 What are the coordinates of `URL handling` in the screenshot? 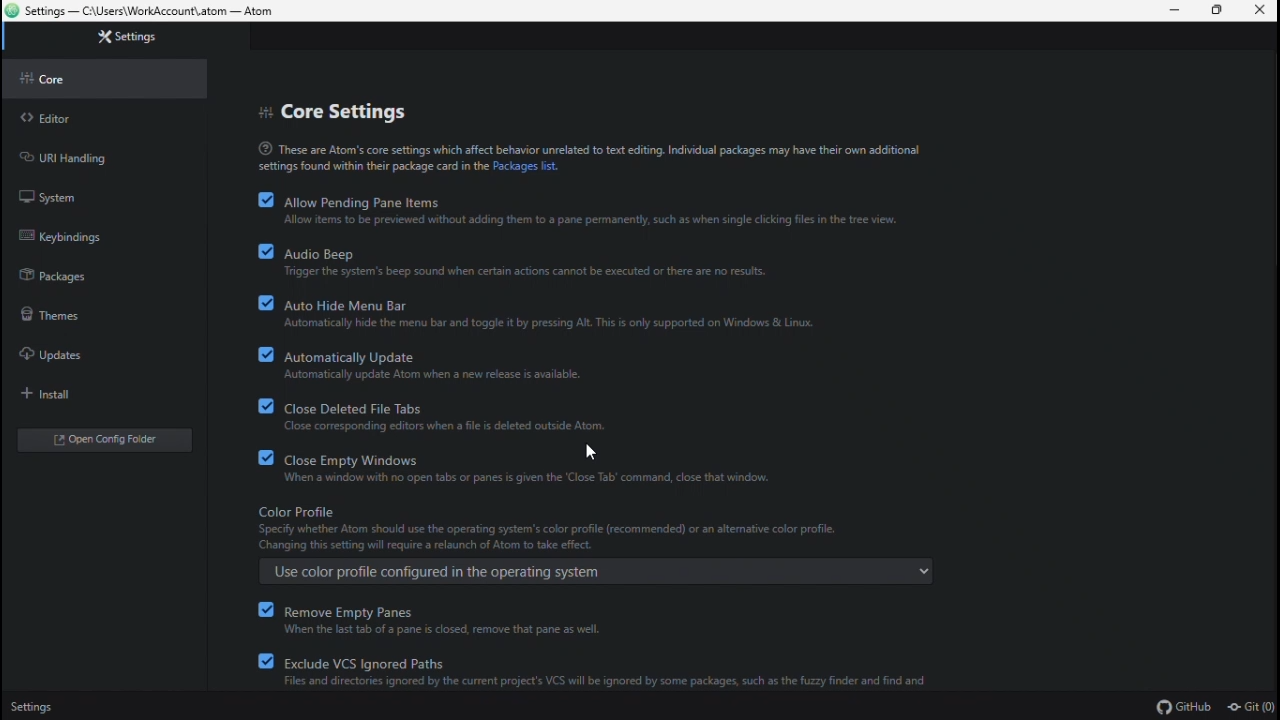 It's located at (88, 156).